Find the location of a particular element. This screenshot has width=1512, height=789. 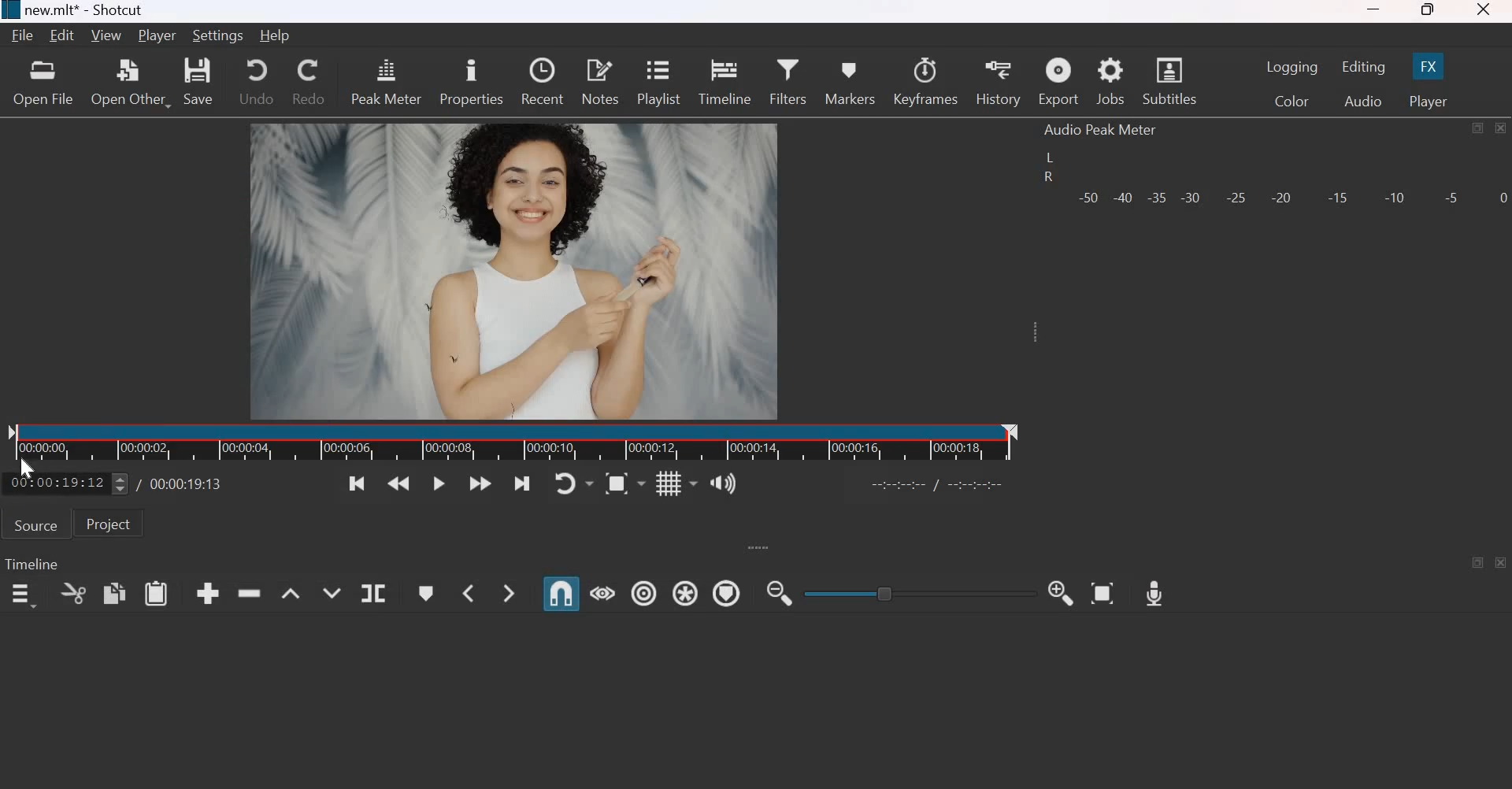

Show the volume control is located at coordinates (727, 481).